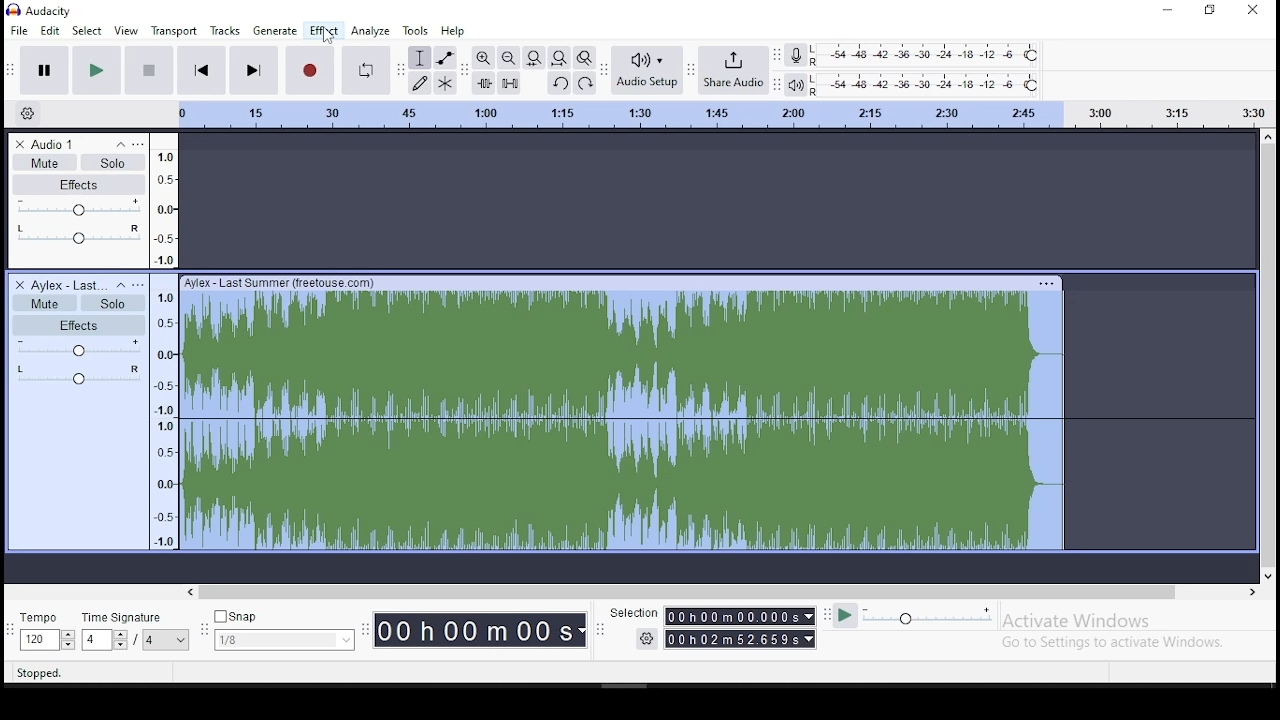 This screenshot has height=720, width=1280. What do you see at coordinates (150, 70) in the screenshot?
I see `stop` at bounding box center [150, 70].